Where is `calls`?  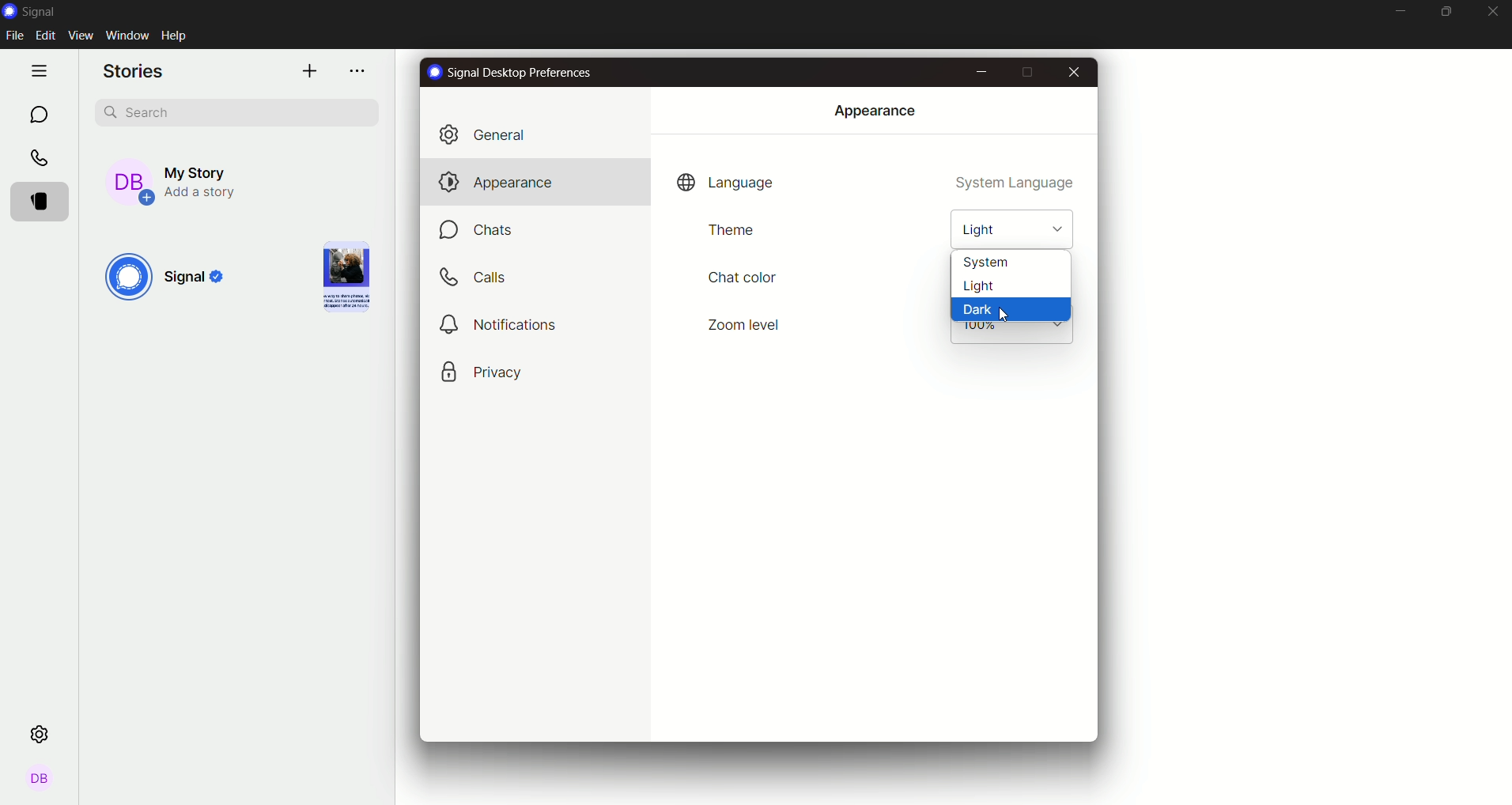 calls is located at coordinates (40, 158).